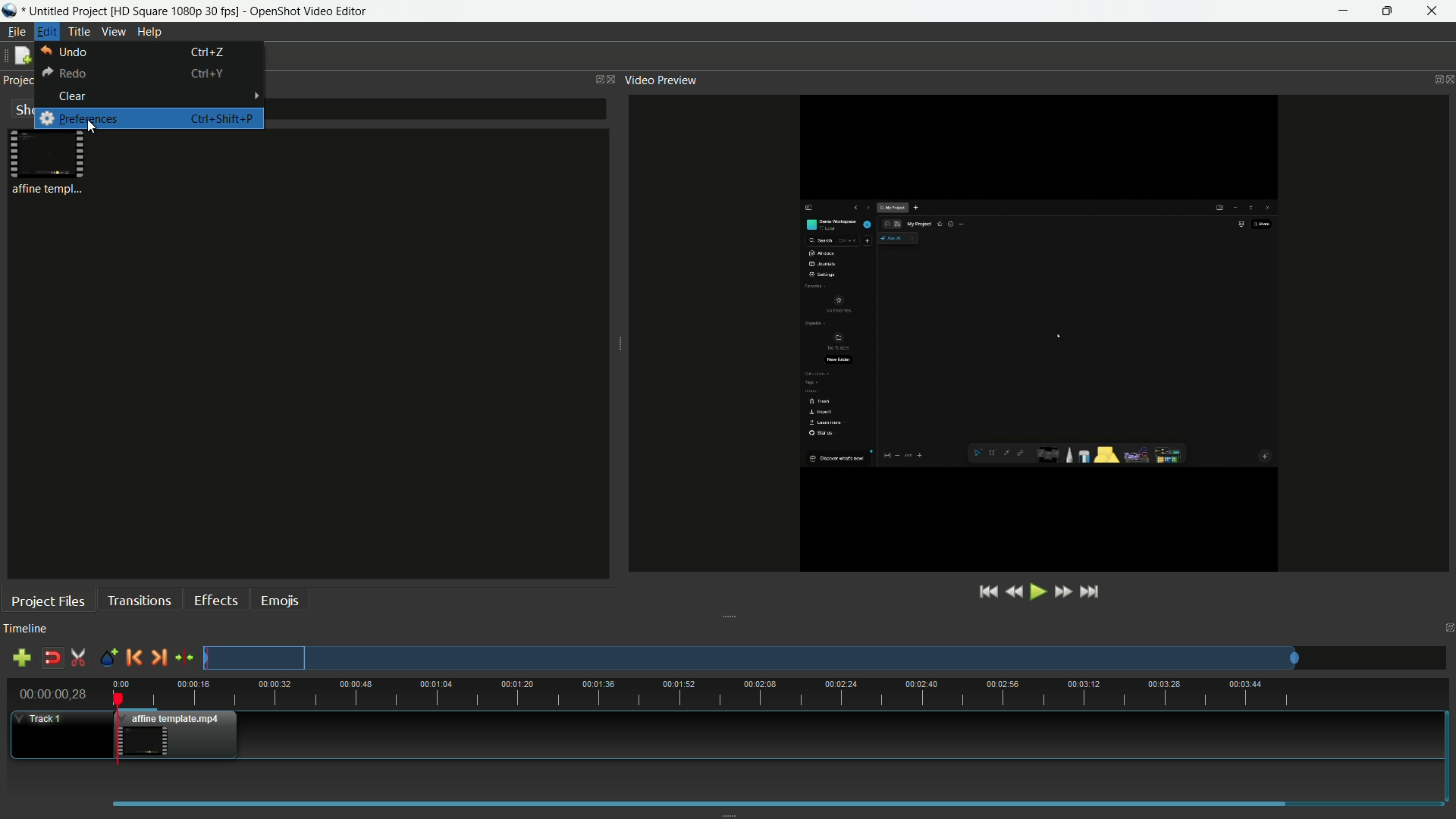 The height and width of the screenshot is (819, 1456). Describe the element at coordinates (1447, 628) in the screenshot. I see `close timeline` at that location.